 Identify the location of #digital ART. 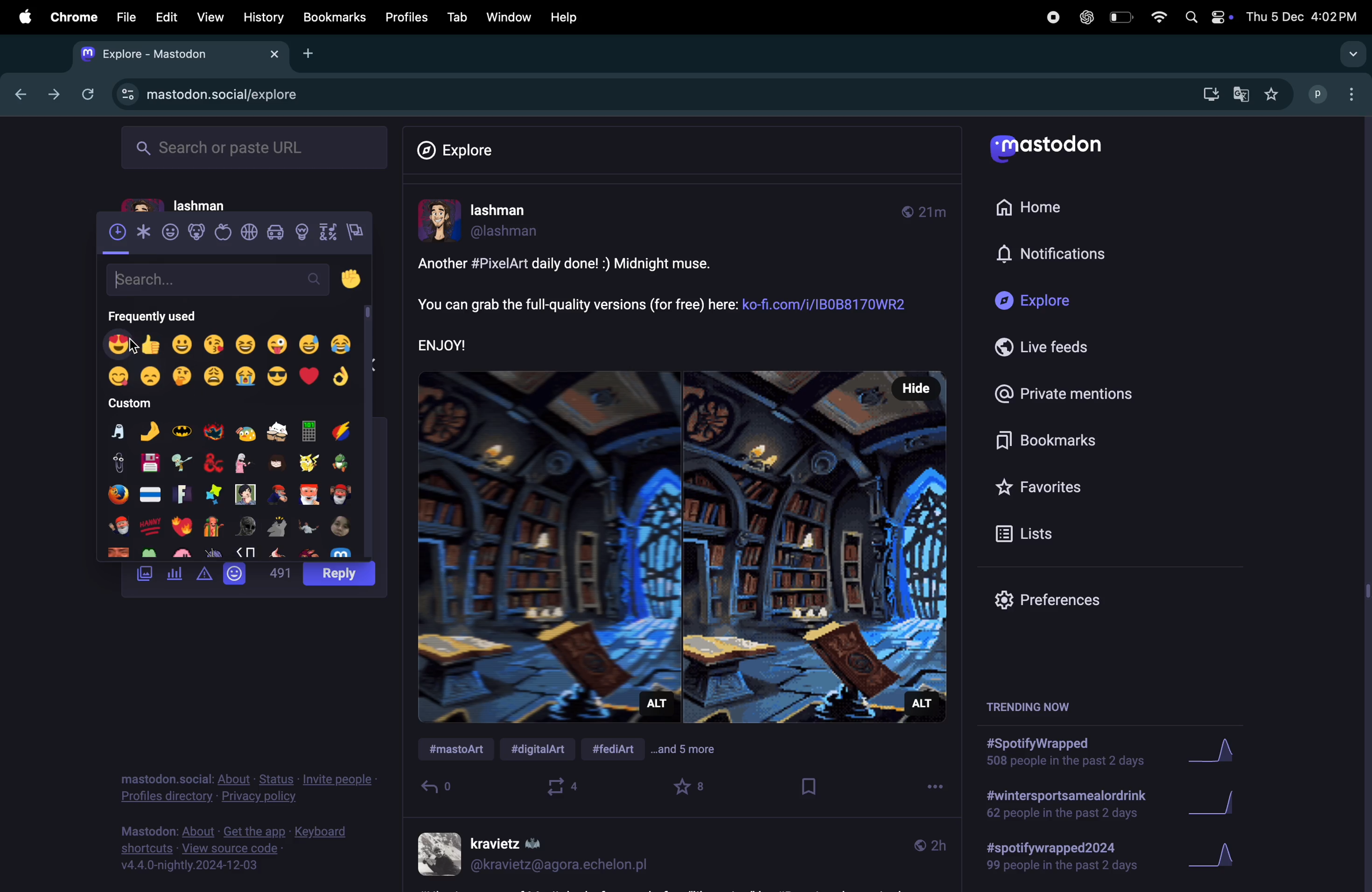
(545, 751).